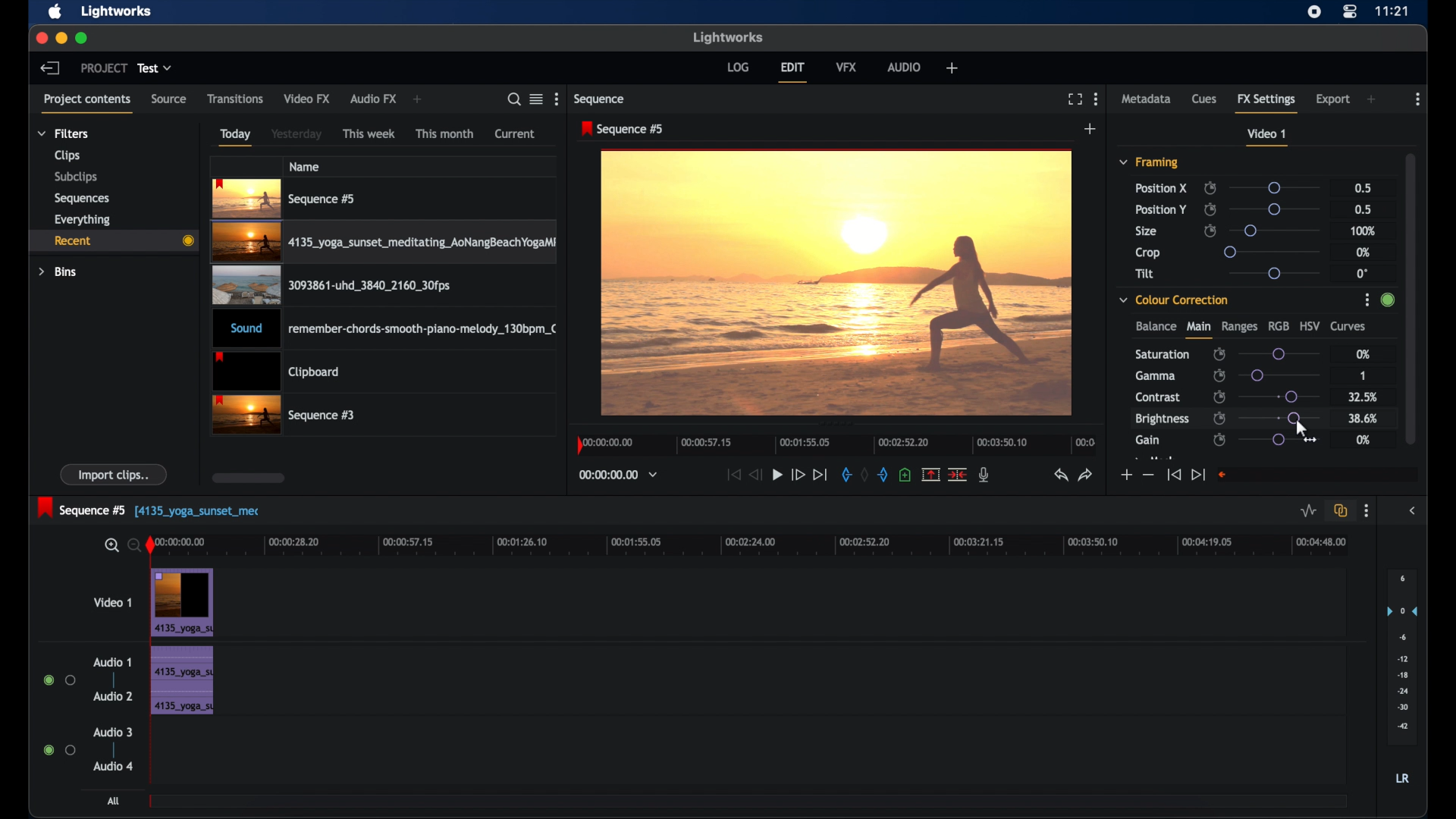 The height and width of the screenshot is (819, 1456). What do you see at coordinates (510, 99) in the screenshot?
I see `search` at bounding box center [510, 99].